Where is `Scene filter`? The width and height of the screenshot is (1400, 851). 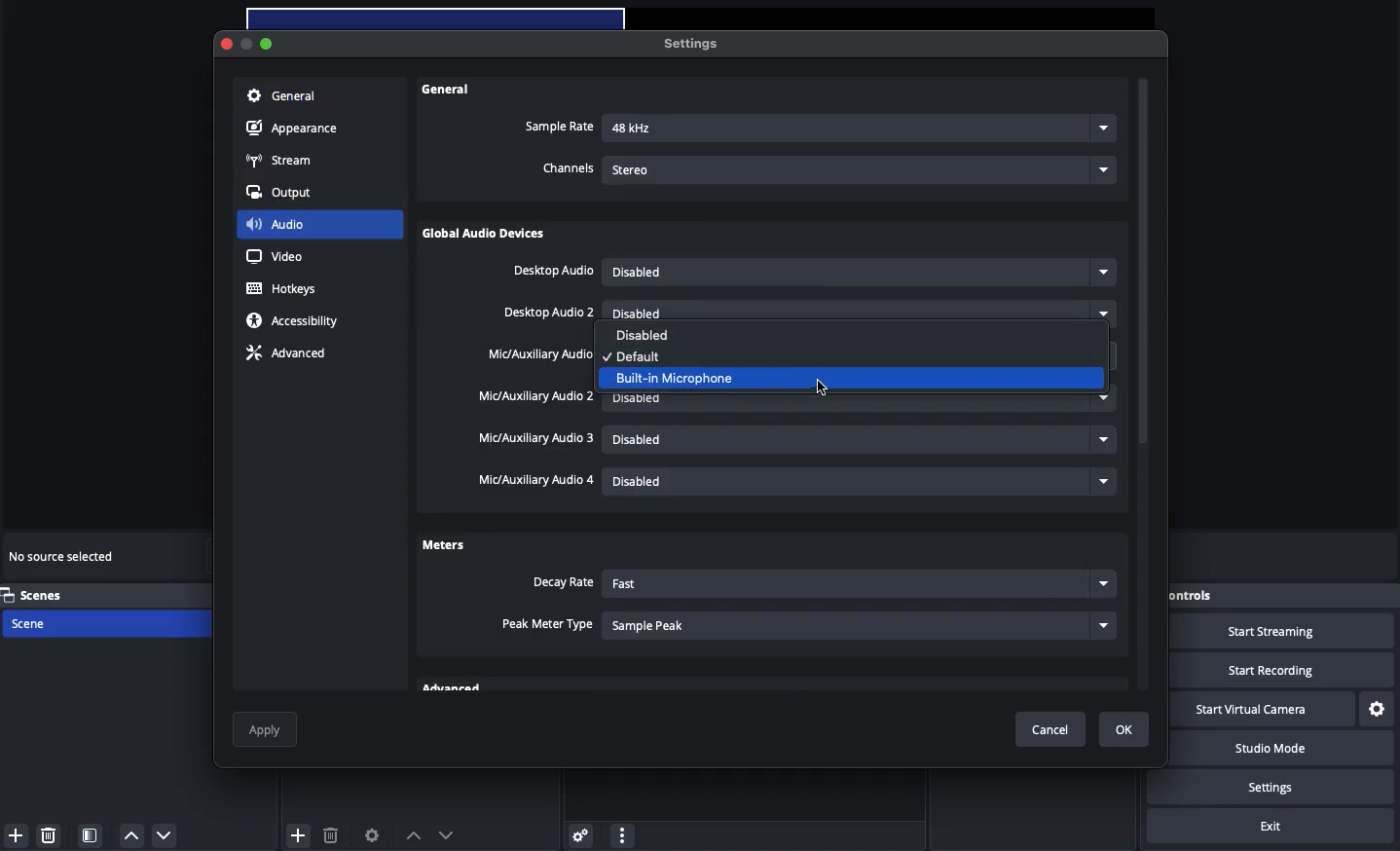 Scene filter is located at coordinates (91, 835).